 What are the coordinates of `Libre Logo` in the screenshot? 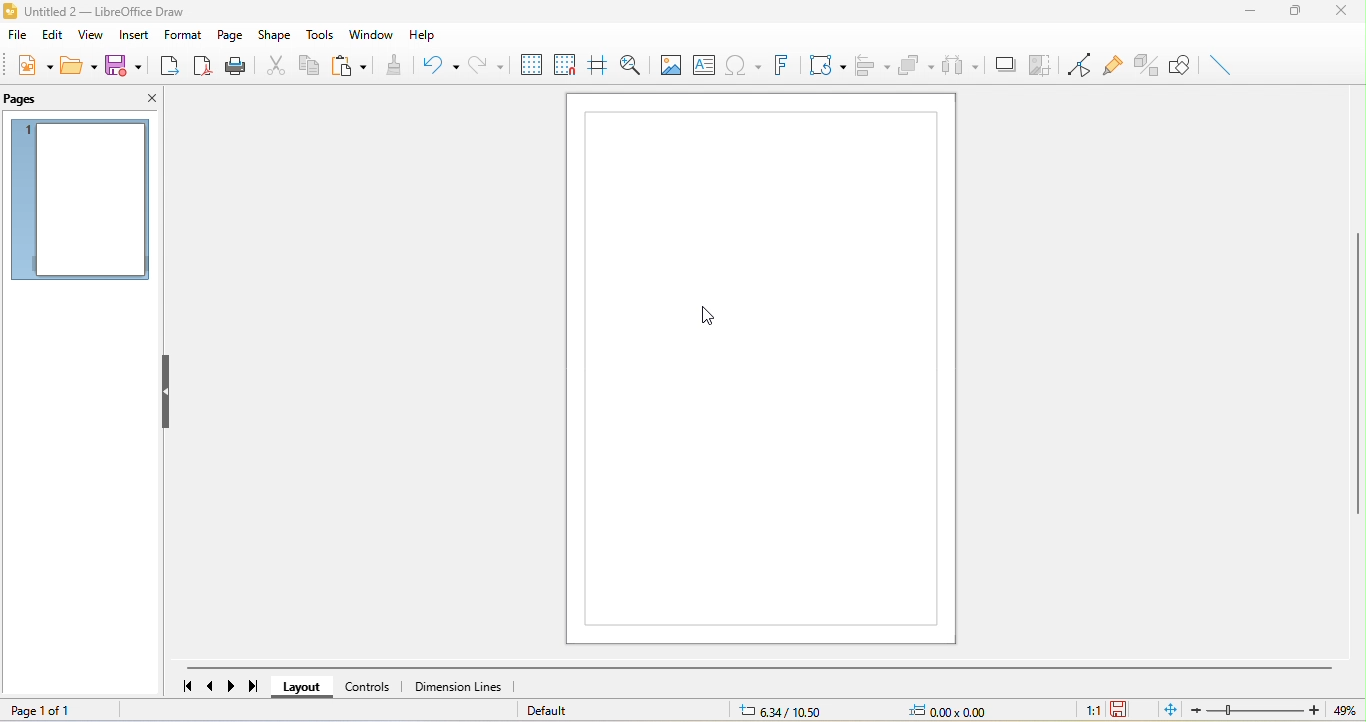 It's located at (9, 13).